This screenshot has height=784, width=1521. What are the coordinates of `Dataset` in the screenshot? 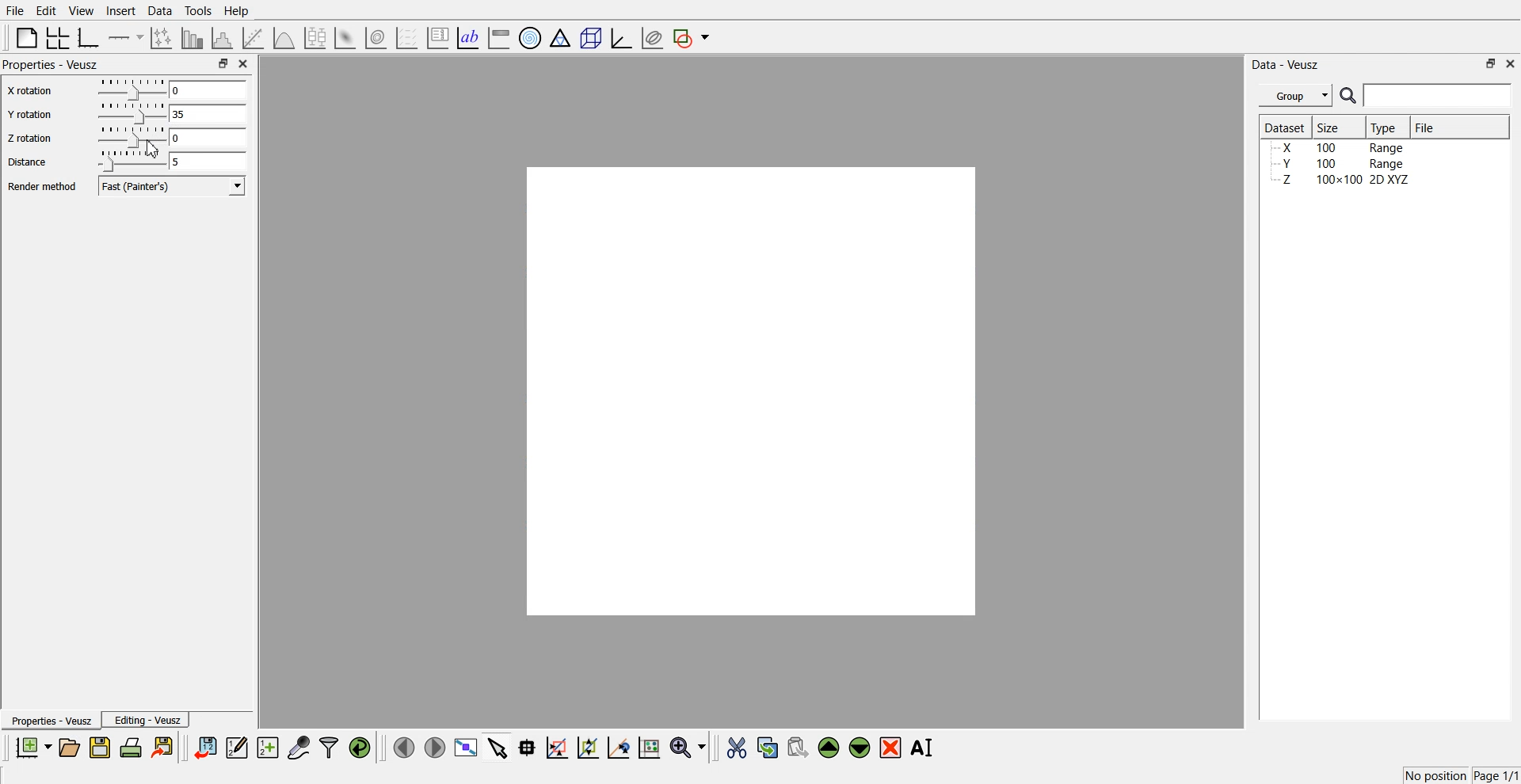 It's located at (1285, 127).